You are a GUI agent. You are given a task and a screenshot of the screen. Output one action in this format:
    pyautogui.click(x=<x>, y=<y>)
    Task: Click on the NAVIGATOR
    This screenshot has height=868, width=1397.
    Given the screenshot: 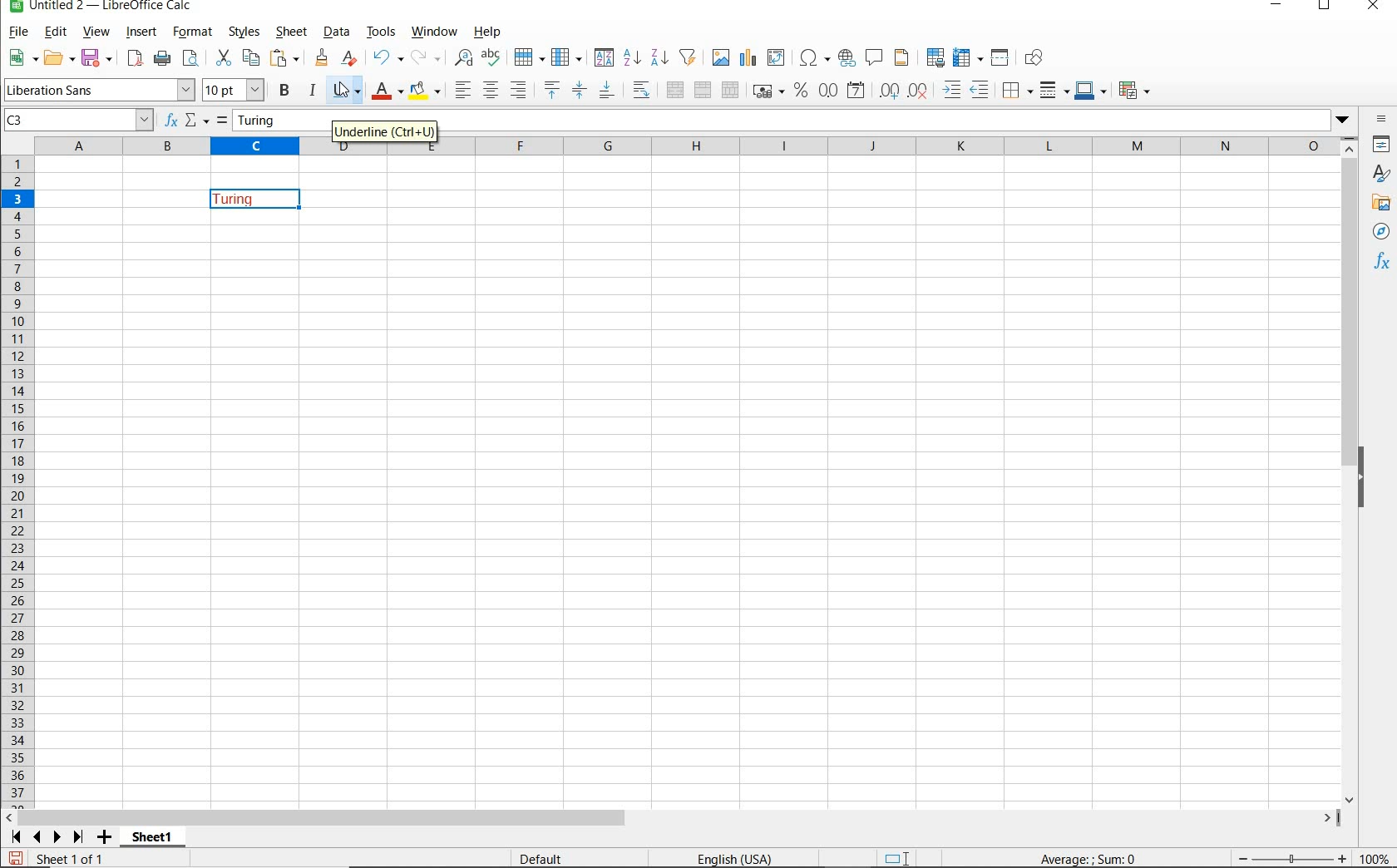 What is the action you would take?
    pyautogui.click(x=1382, y=233)
    